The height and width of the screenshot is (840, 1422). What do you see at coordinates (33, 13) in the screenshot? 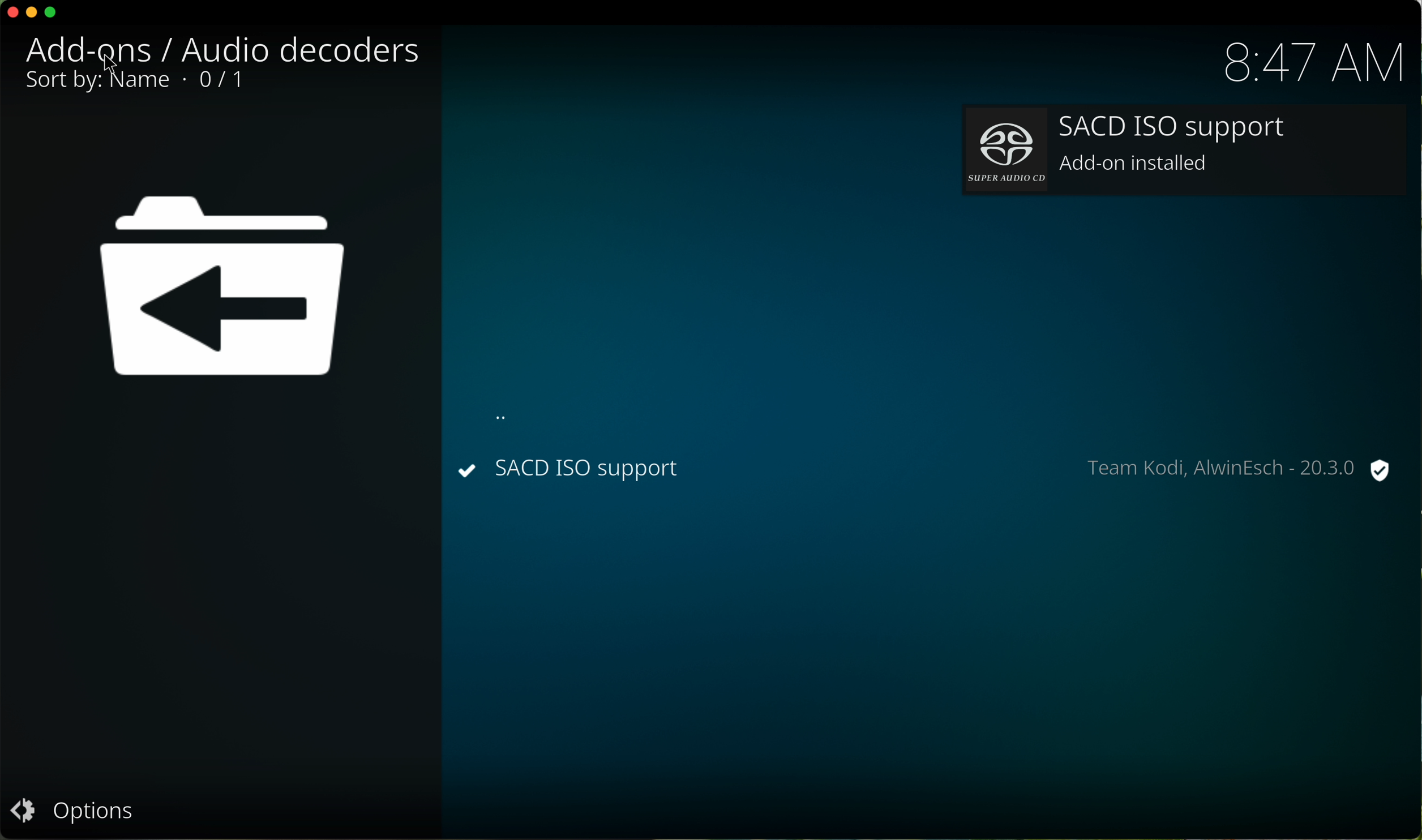
I see `minimize program` at bounding box center [33, 13].